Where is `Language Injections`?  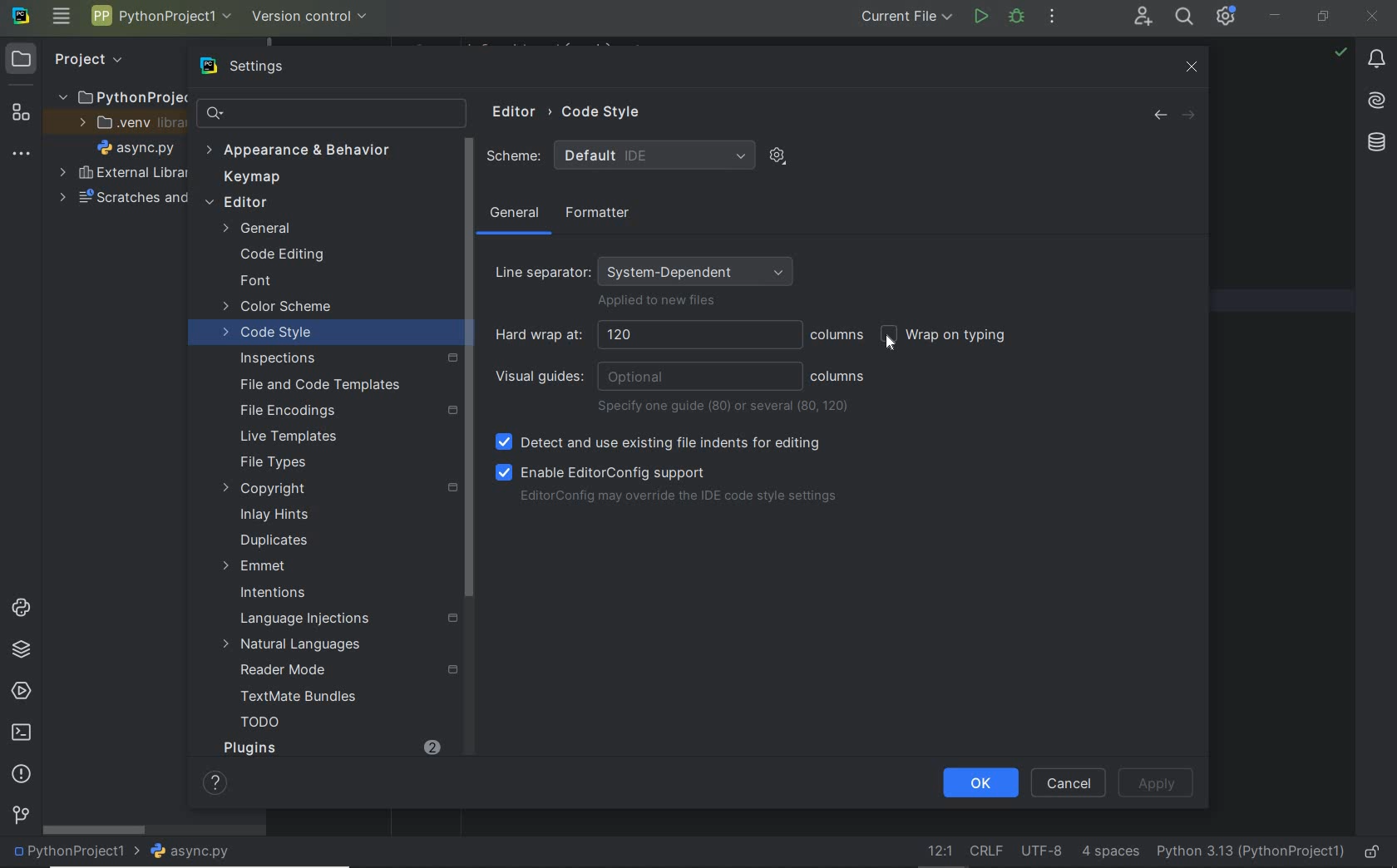 Language Injections is located at coordinates (358, 619).